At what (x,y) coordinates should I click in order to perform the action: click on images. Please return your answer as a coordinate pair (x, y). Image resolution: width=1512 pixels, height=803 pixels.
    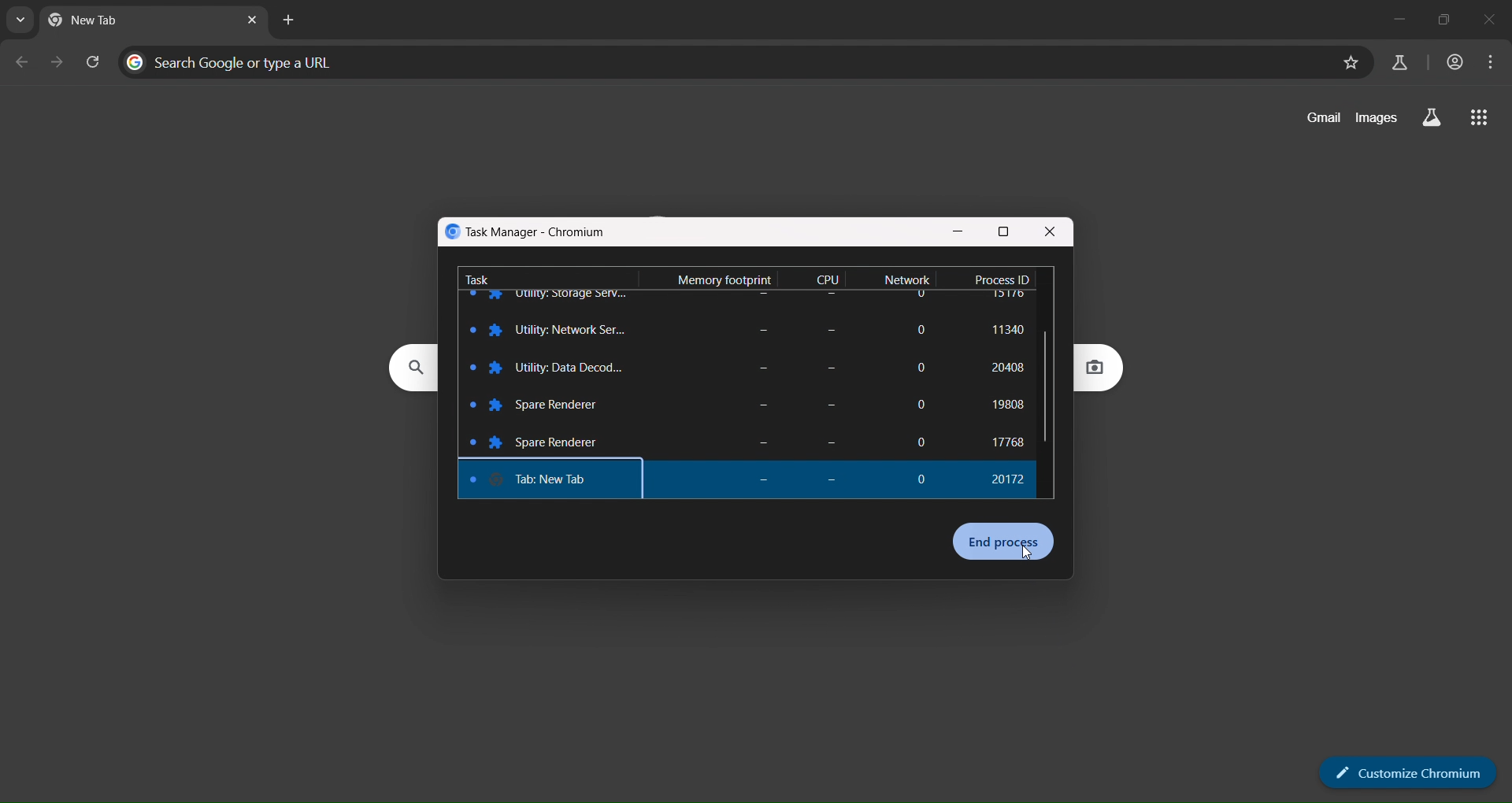
    Looking at the image, I should click on (1377, 117).